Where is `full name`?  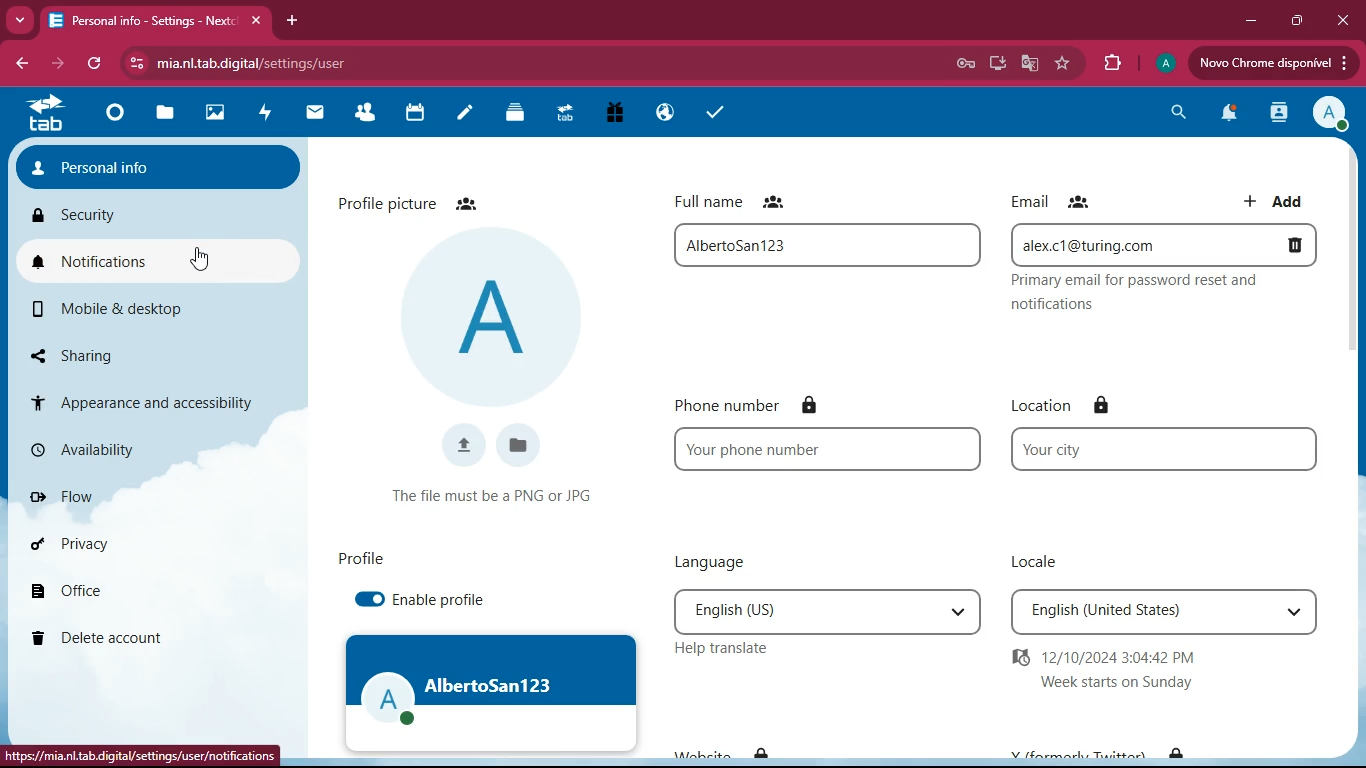 full name is located at coordinates (737, 200).